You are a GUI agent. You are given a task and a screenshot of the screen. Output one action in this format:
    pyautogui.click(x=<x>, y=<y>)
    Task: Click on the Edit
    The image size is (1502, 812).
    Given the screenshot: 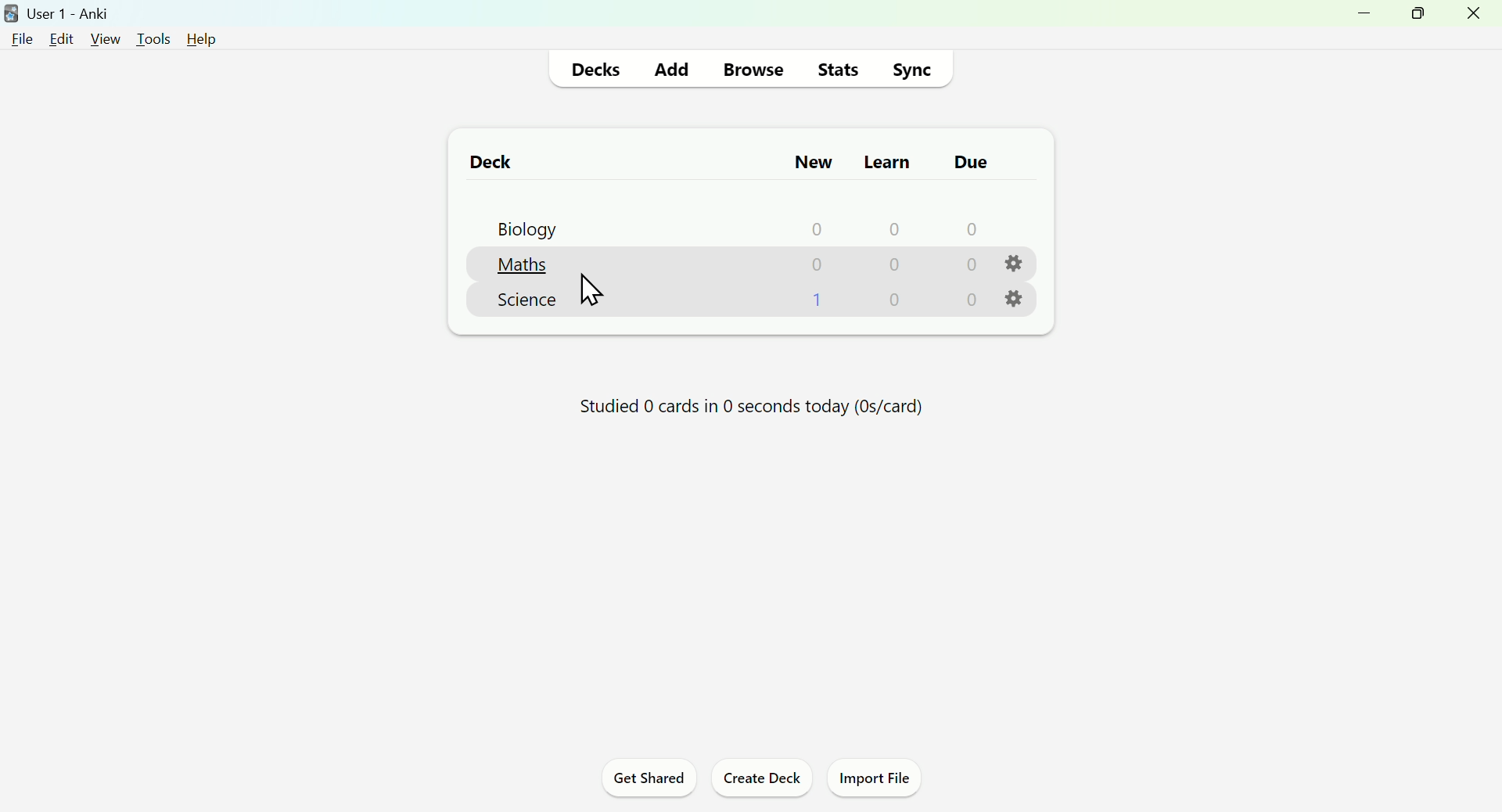 What is the action you would take?
    pyautogui.click(x=66, y=37)
    